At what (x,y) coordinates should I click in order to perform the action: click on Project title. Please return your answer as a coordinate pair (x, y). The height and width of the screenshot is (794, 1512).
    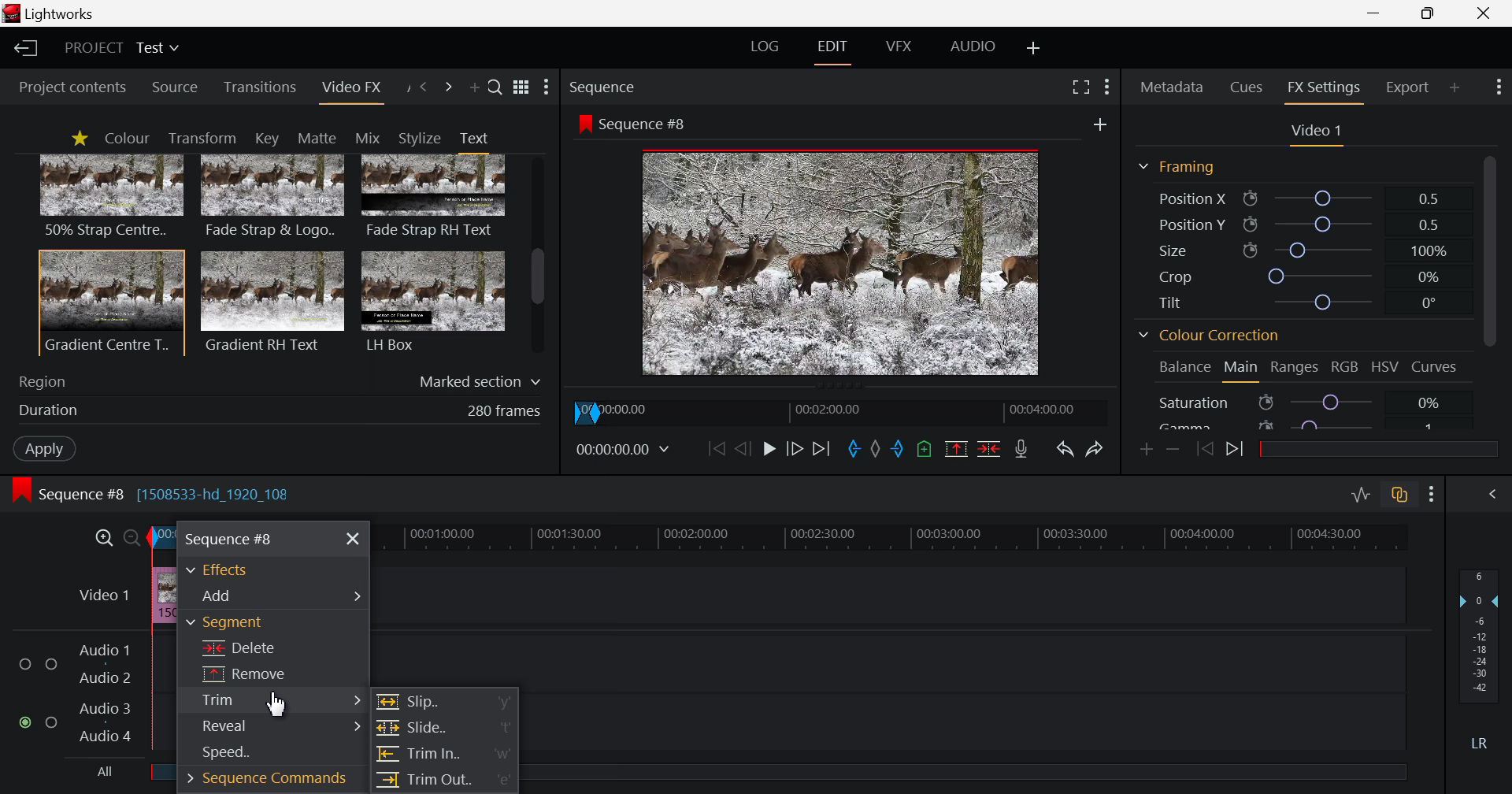
    Looking at the image, I should click on (124, 48).